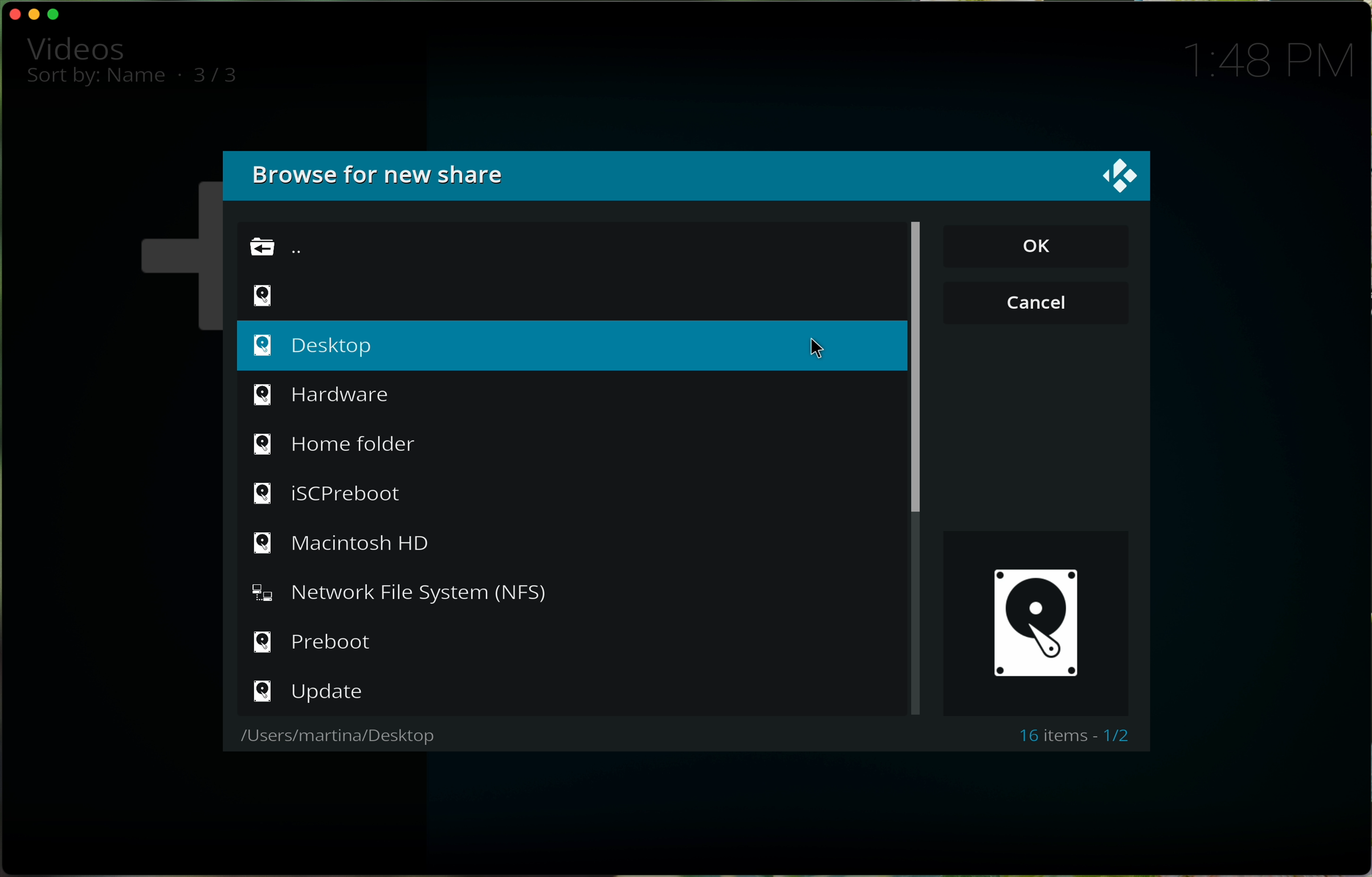  I want to click on ., so click(179, 74).